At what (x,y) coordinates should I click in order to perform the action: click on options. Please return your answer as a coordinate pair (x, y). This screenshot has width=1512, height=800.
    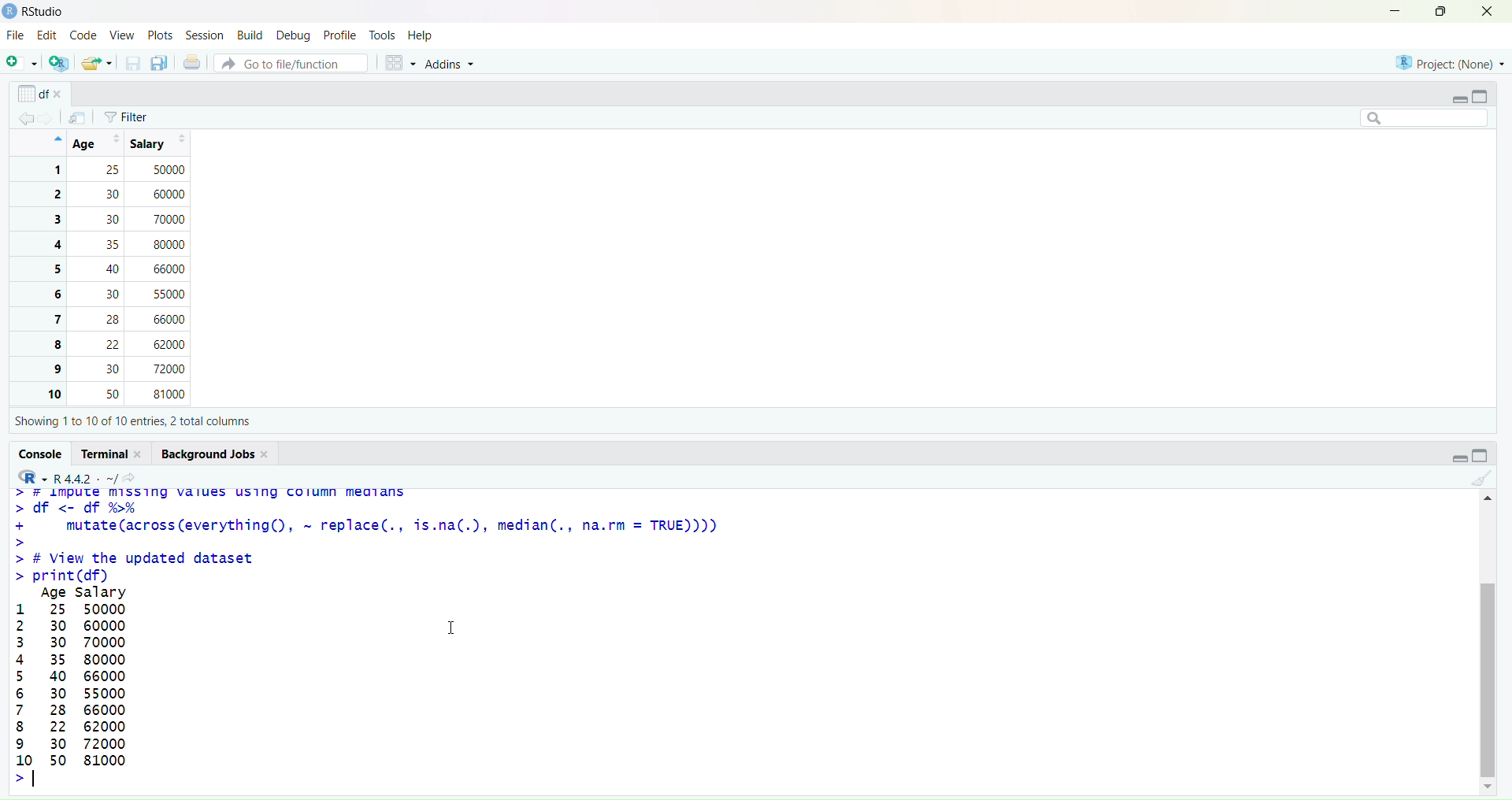
    Looking at the image, I should click on (77, 118).